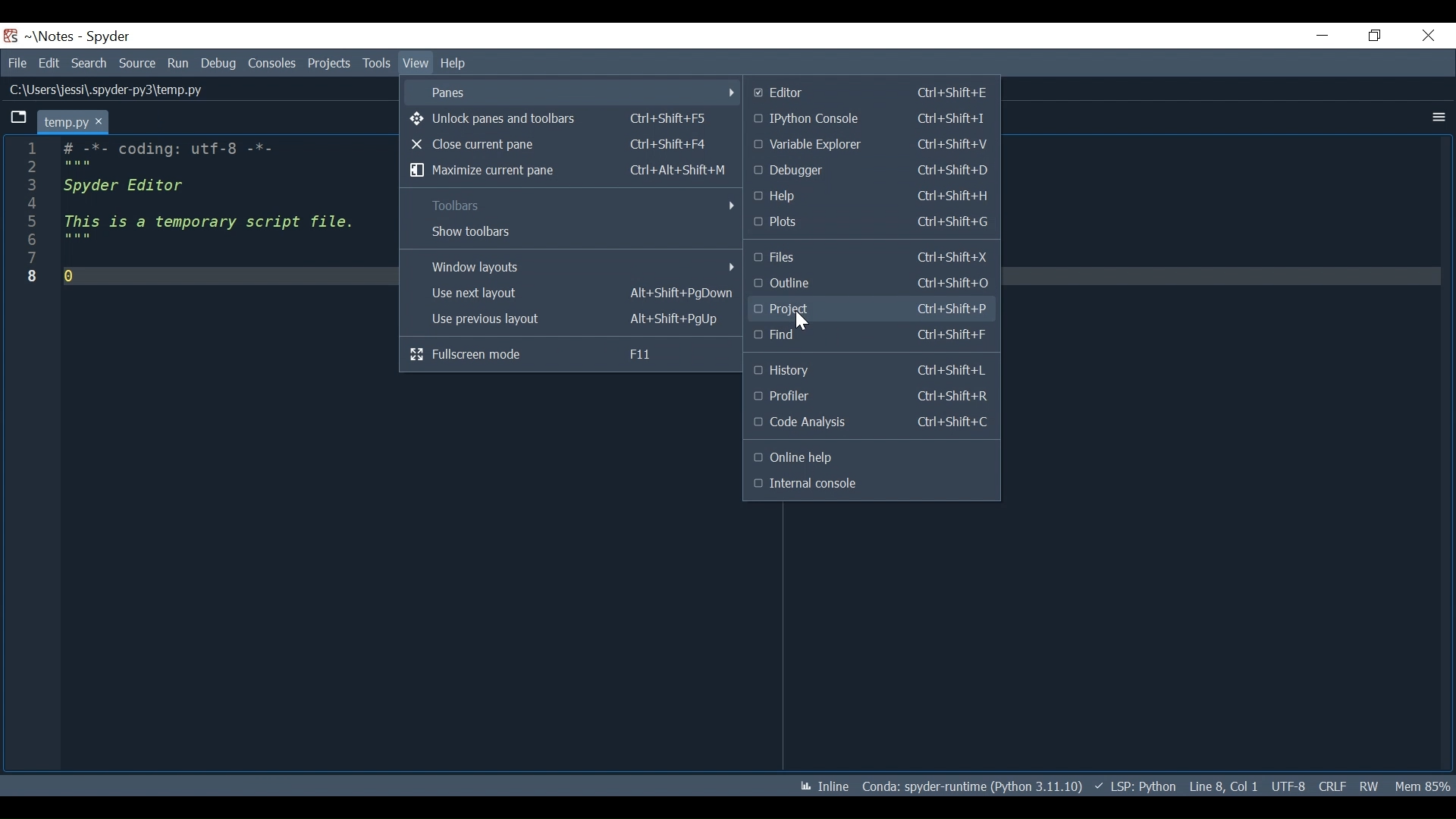  Describe the element at coordinates (330, 64) in the screenshot. I see `Projects` at that location.